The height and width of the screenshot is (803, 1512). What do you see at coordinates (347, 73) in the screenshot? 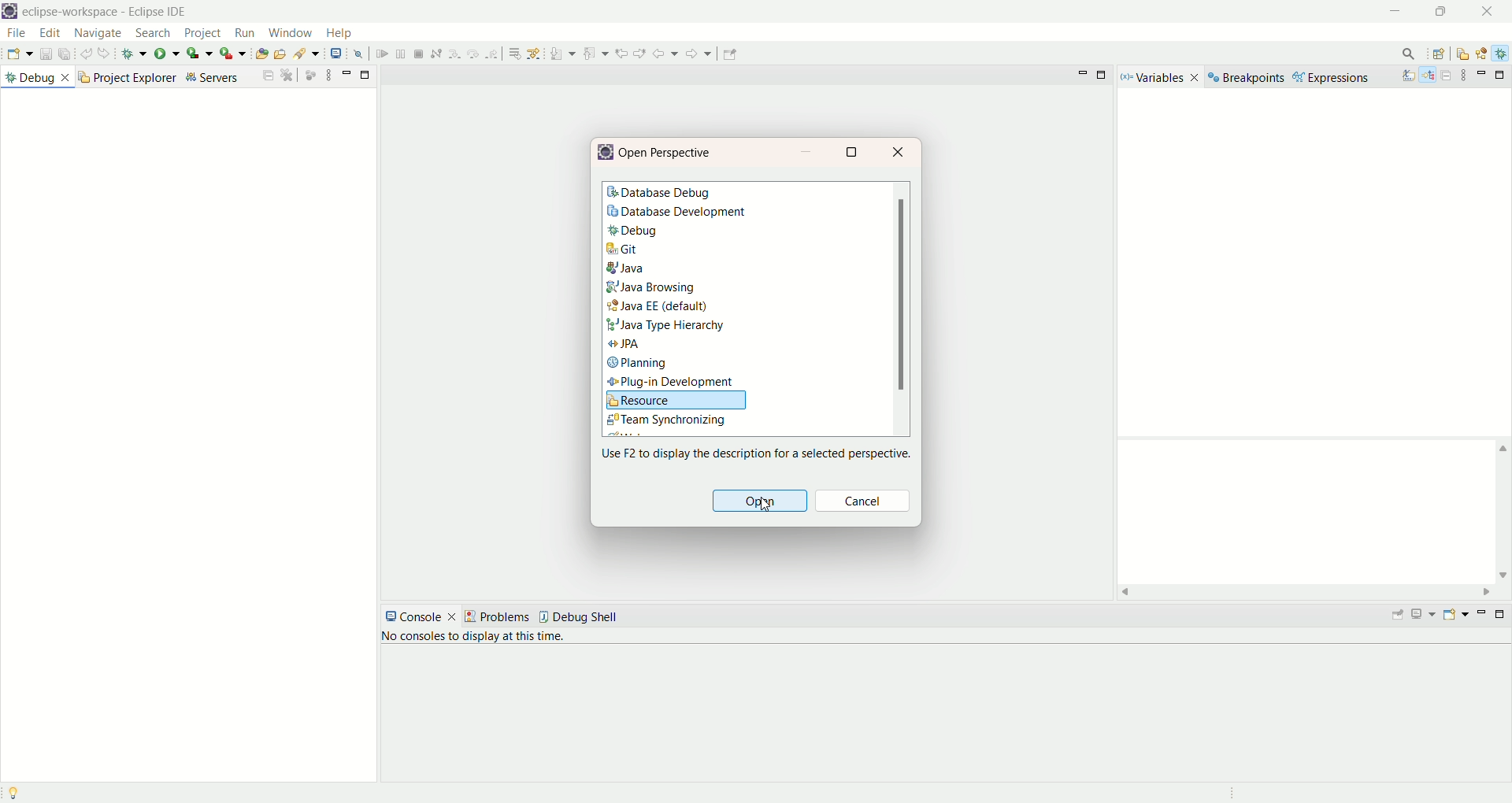
I see `minimize` at bounding box center [347, 73].